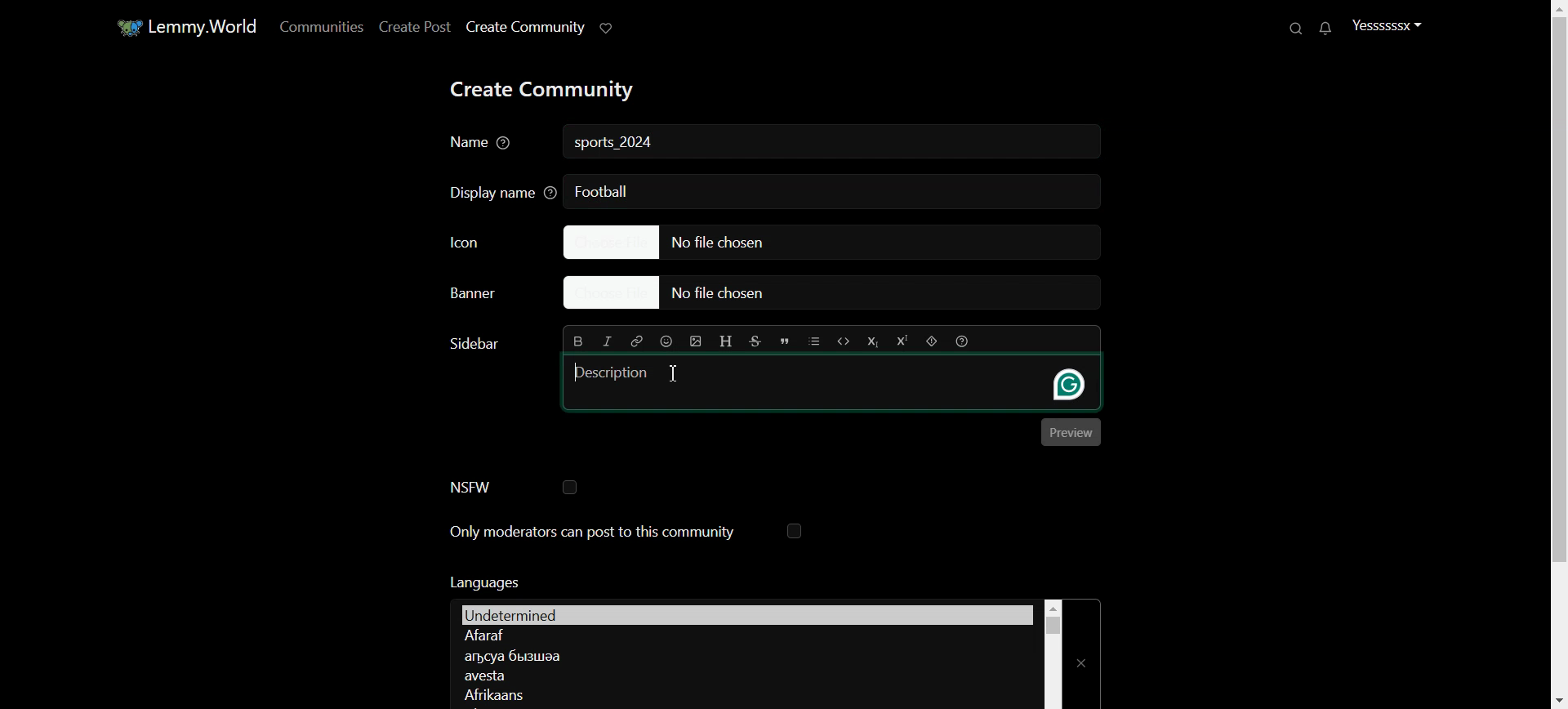 This screenshot has width=1568, height=709. What do you see at coordinates (635, 341) in the screenshot?
I see `Hyperlink` at bounding box center [635, 341].